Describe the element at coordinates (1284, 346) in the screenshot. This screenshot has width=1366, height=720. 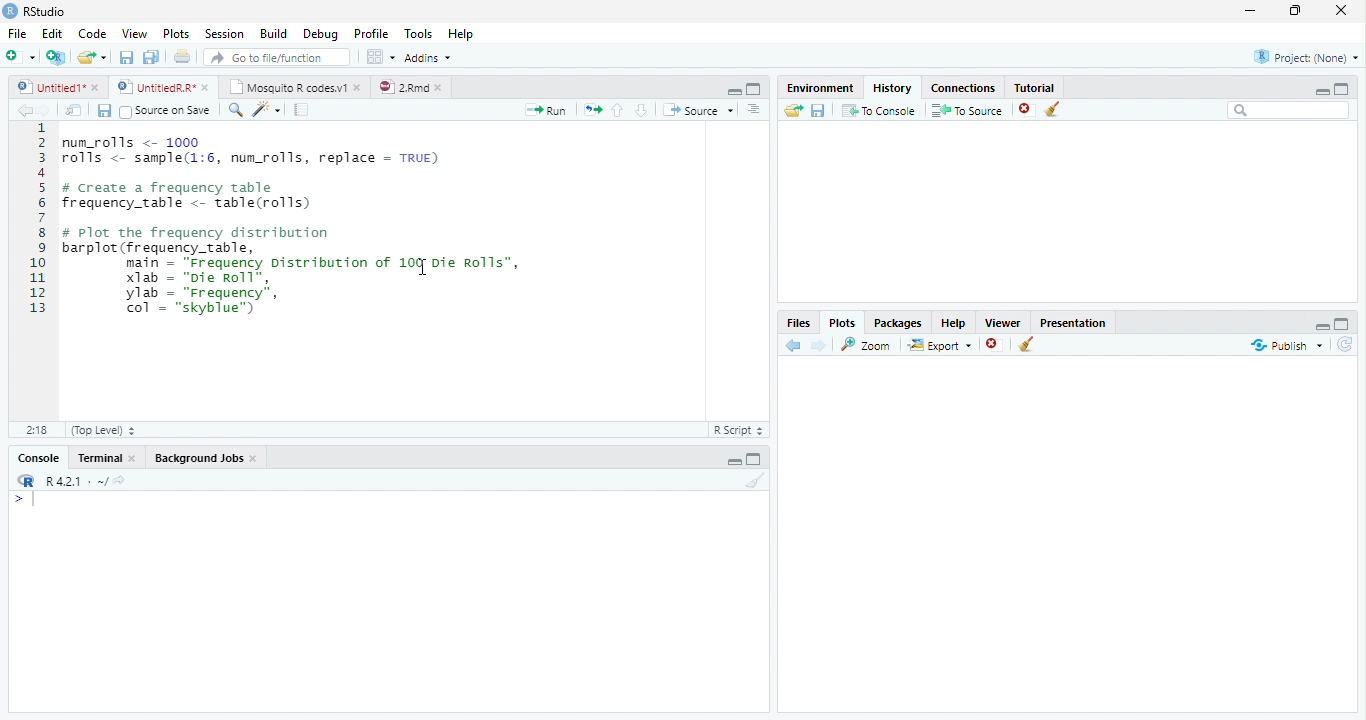
I see `Publish` at that location.